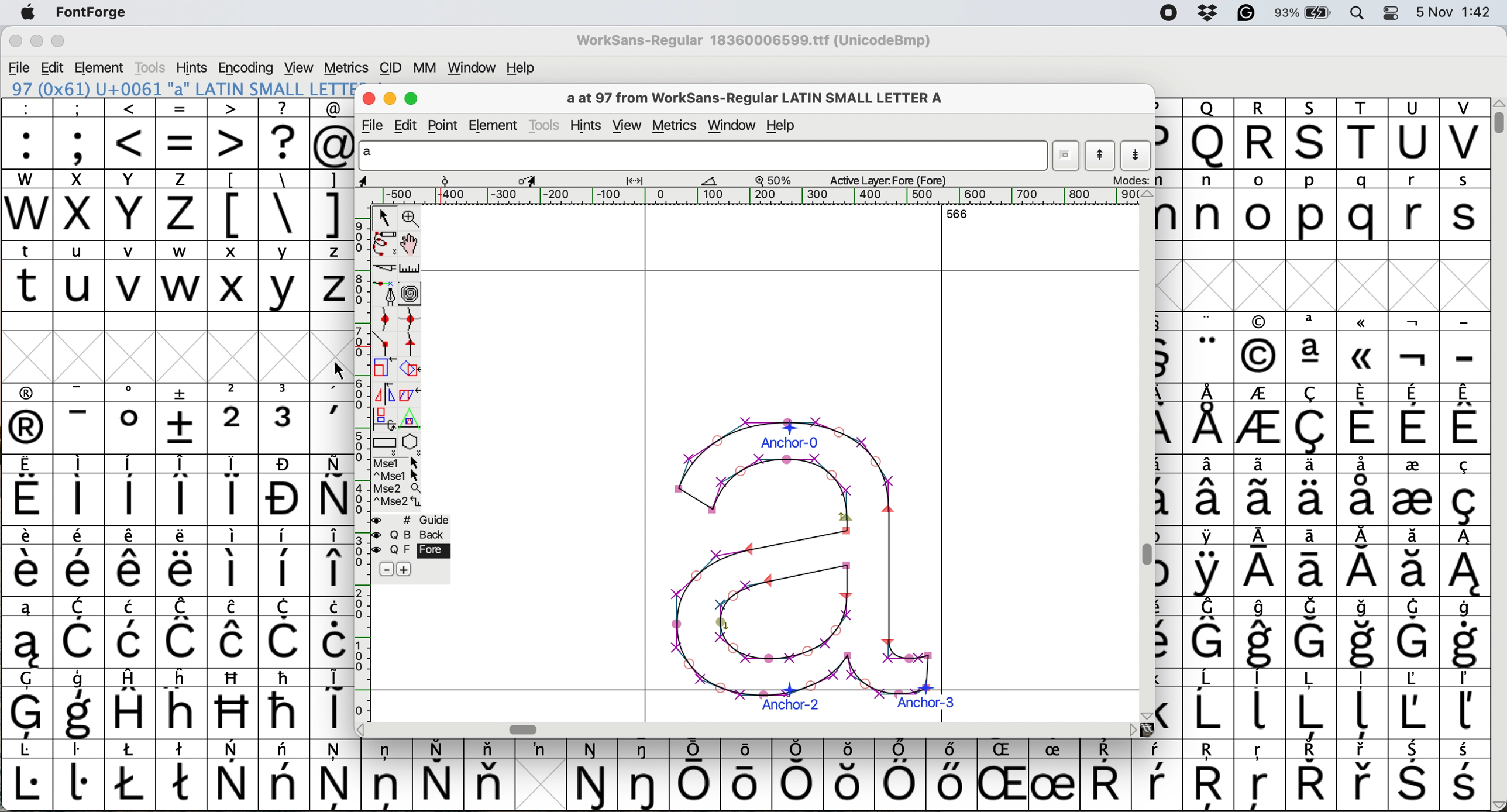 Image resolution: width=1507 pixels, height=812 pixels. Describe the element at coordinates (1414, 632) in the screenshot. I see `symbol` at that location.